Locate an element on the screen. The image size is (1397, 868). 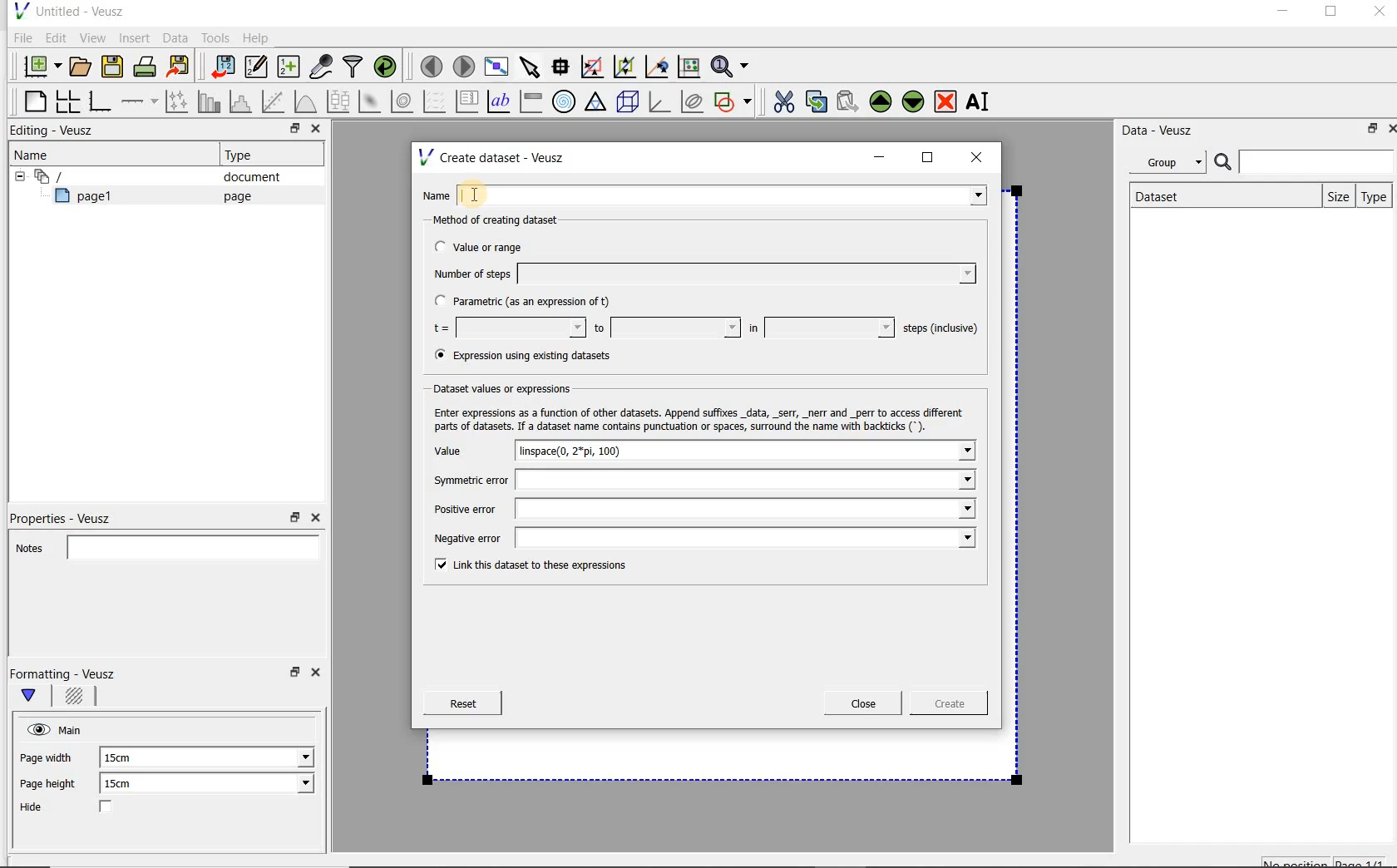
restore down is located at coordinates (290, 131).